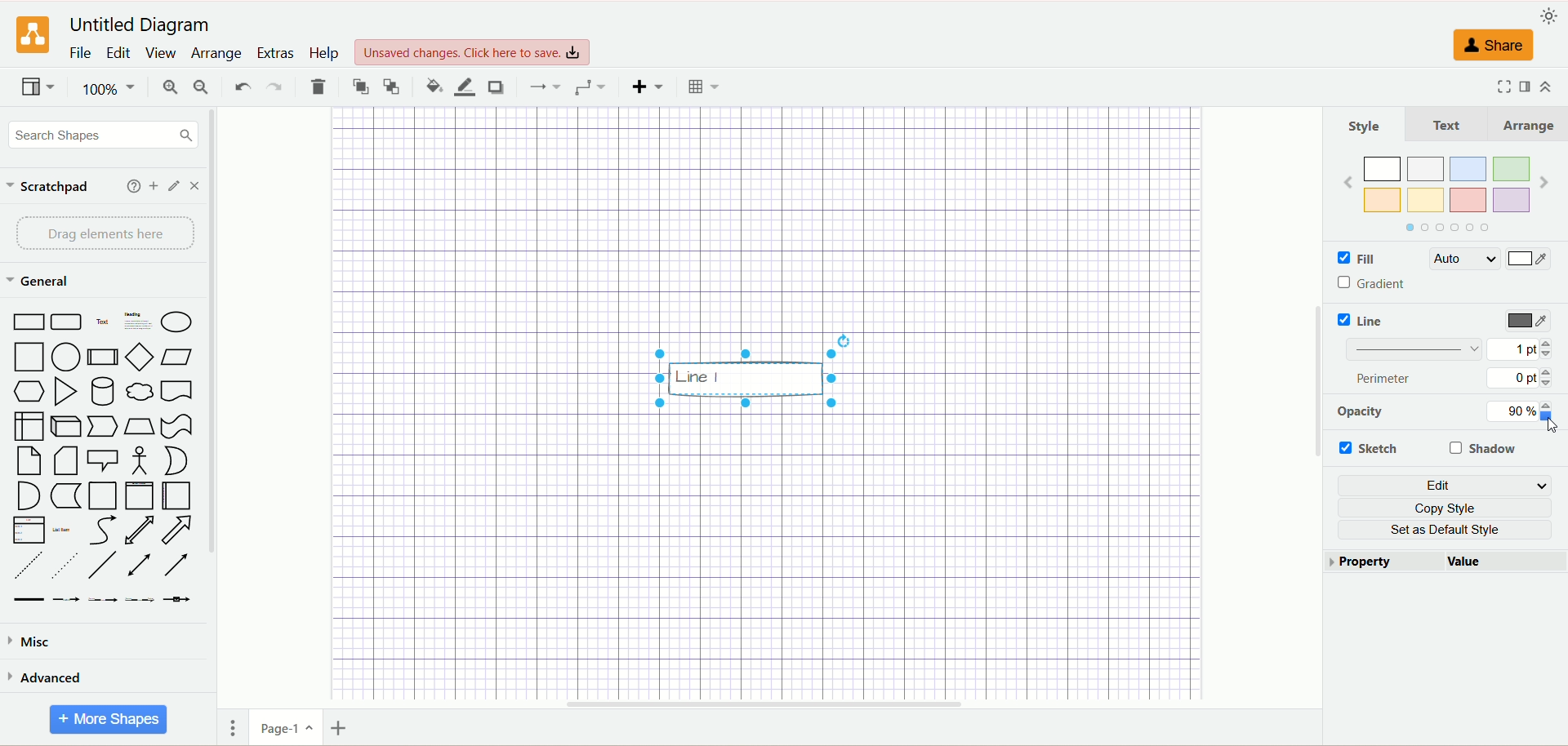  What do you see at coordinates (1491, 45) in the screenshot?
I see `share` at bounding box center [1491, 45].